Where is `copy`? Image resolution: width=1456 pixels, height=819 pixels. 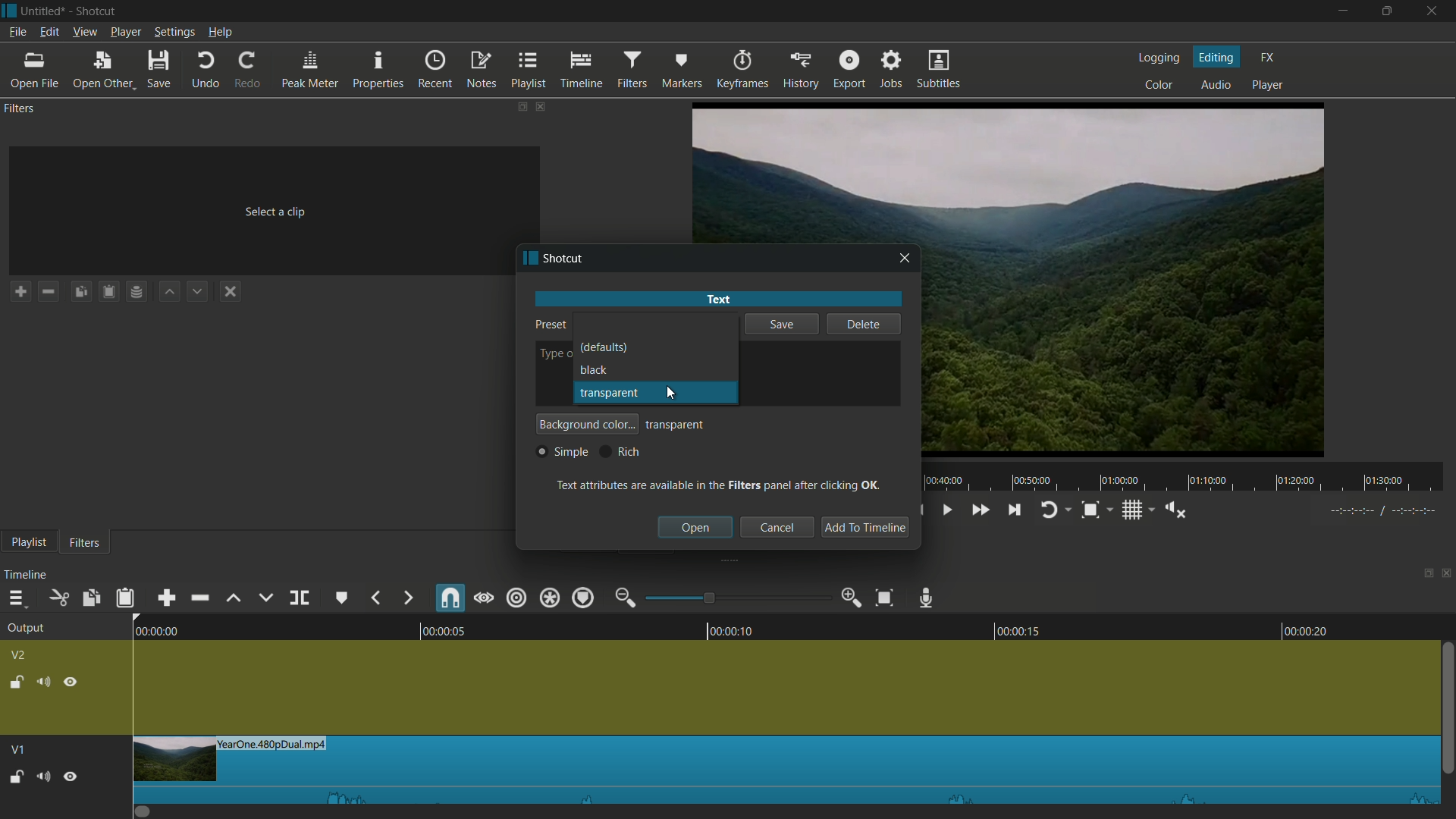
copy is located at coordinates (93, 598).